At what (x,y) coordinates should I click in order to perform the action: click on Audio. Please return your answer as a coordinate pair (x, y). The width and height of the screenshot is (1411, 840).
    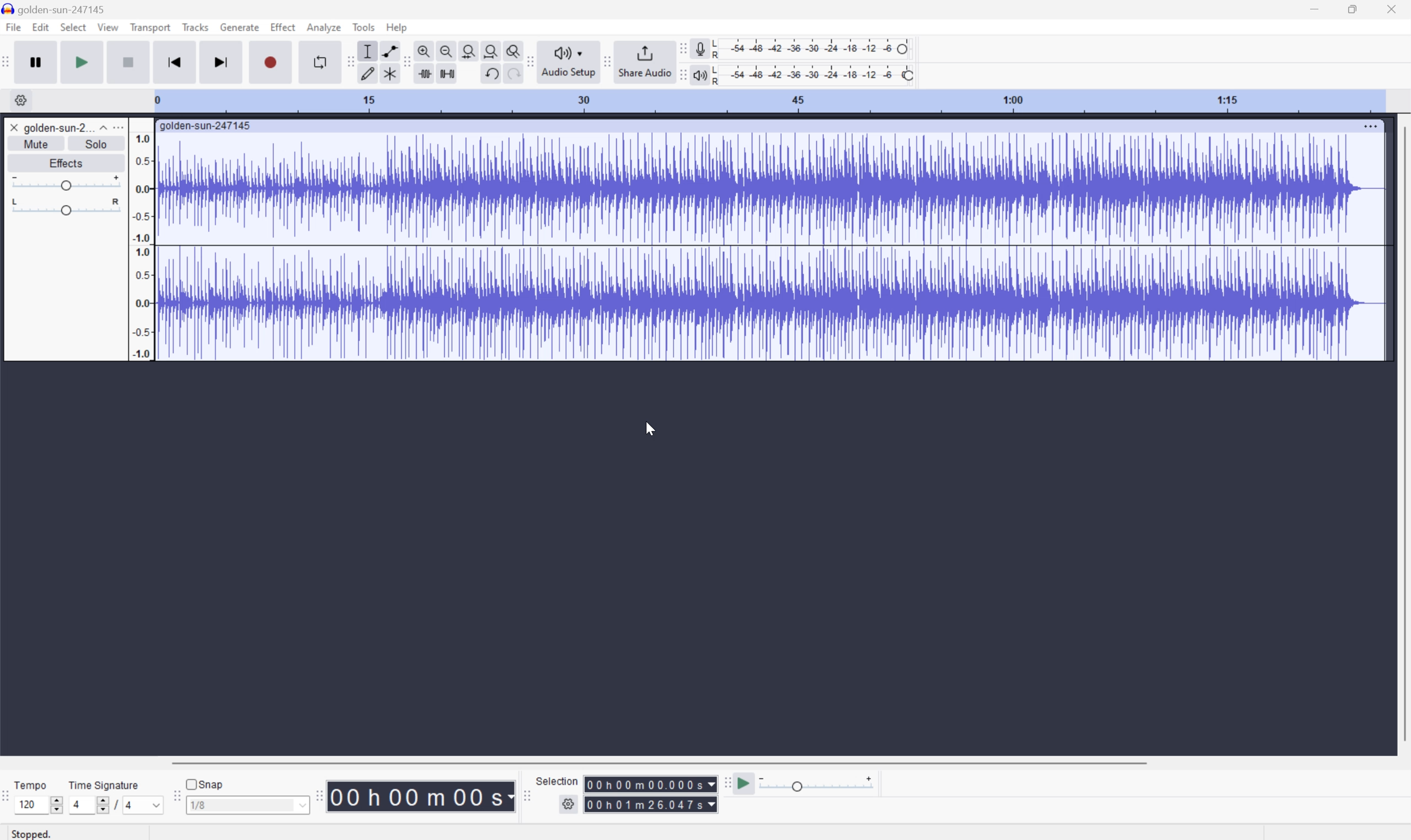
    Looking at the image, I should click on (770, 246).